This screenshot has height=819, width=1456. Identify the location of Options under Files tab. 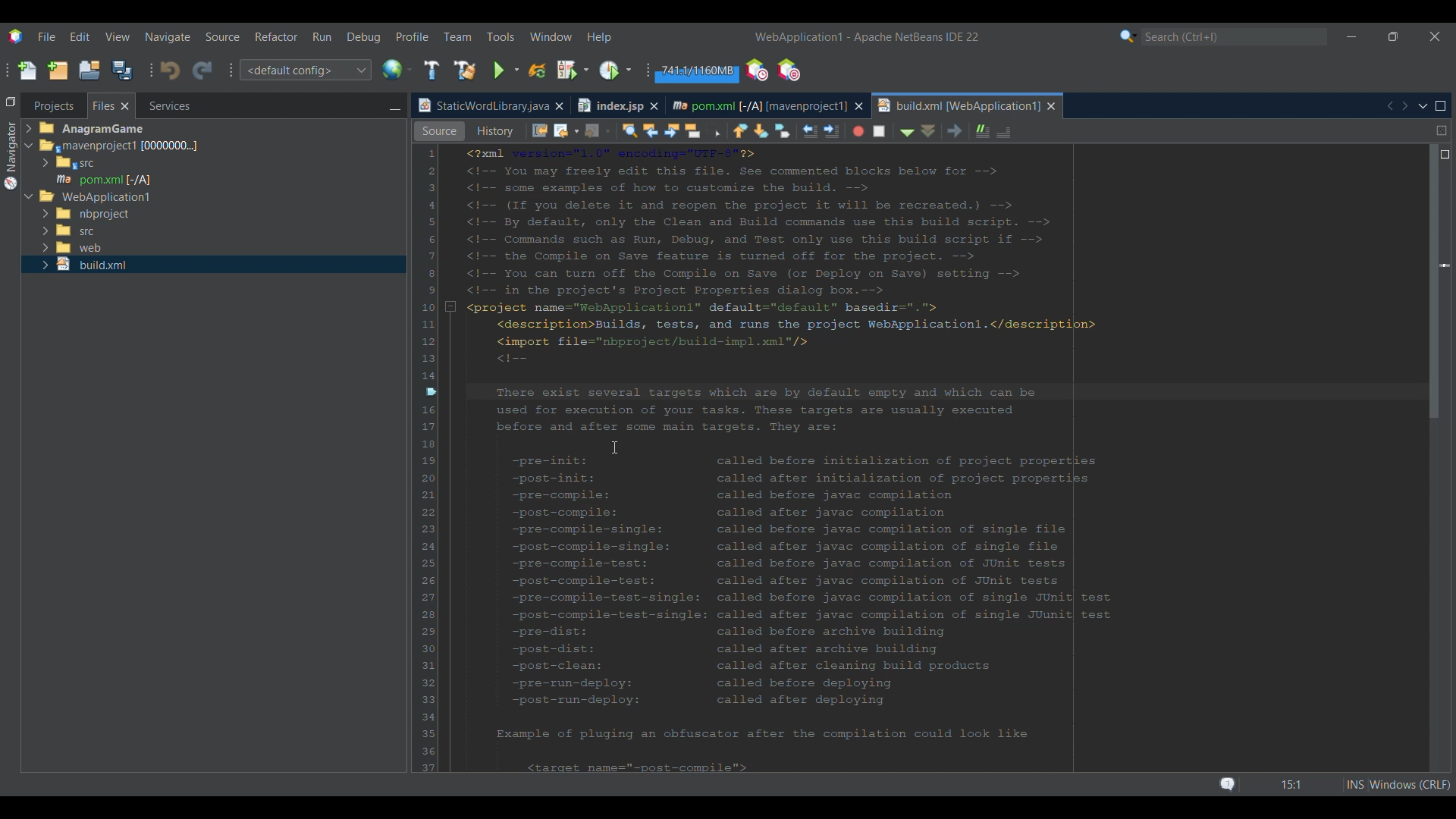
(107, 165).